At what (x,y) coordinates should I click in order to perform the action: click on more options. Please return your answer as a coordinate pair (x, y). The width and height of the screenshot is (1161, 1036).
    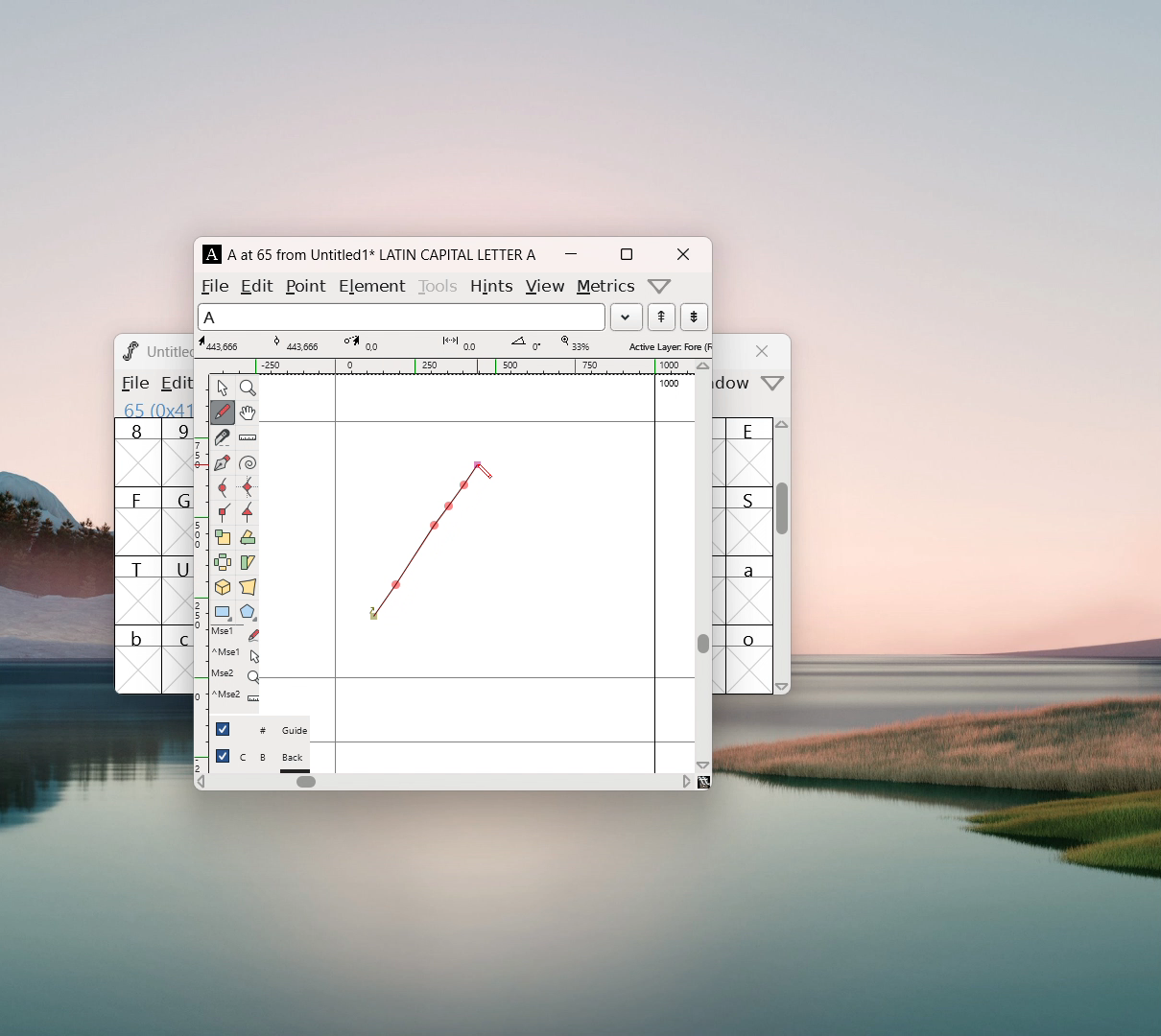
    Looking at the image, I should click on (660, 286).